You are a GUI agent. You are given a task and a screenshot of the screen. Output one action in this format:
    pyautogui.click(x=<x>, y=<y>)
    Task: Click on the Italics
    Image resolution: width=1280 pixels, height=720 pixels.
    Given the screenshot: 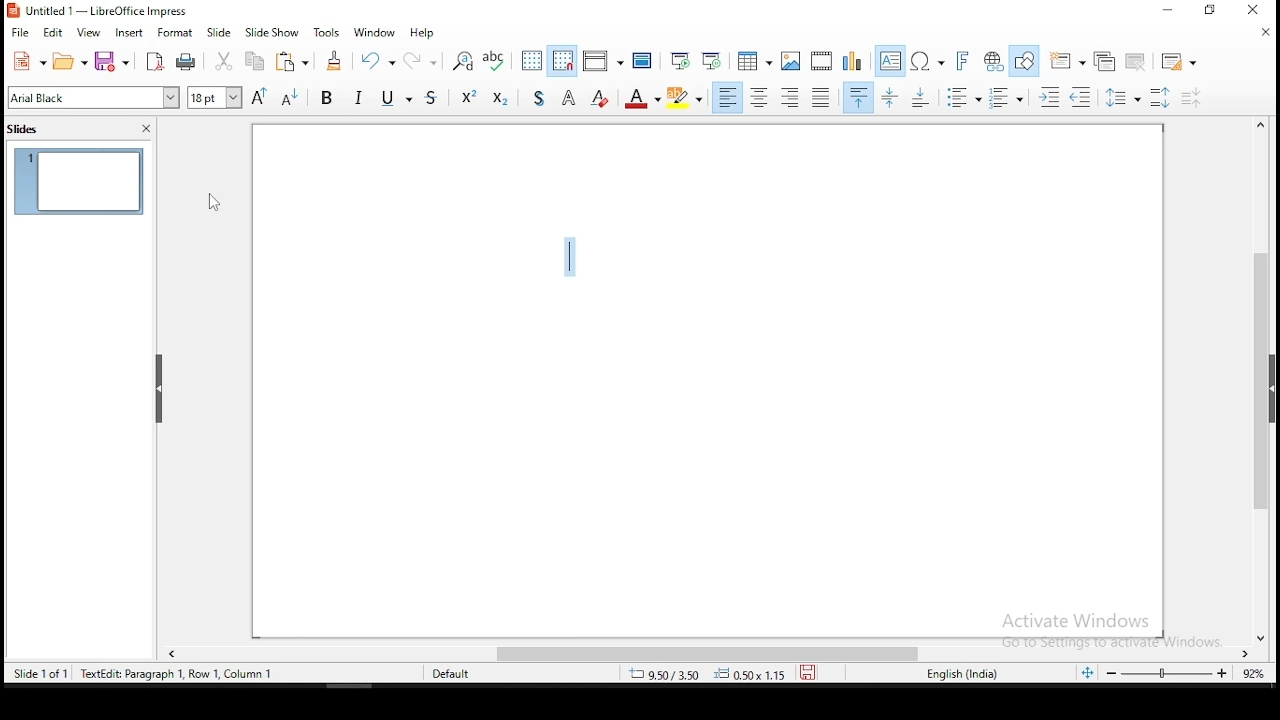 What is the action you would take?
    pyautogui.click(x=359, y=96)
    